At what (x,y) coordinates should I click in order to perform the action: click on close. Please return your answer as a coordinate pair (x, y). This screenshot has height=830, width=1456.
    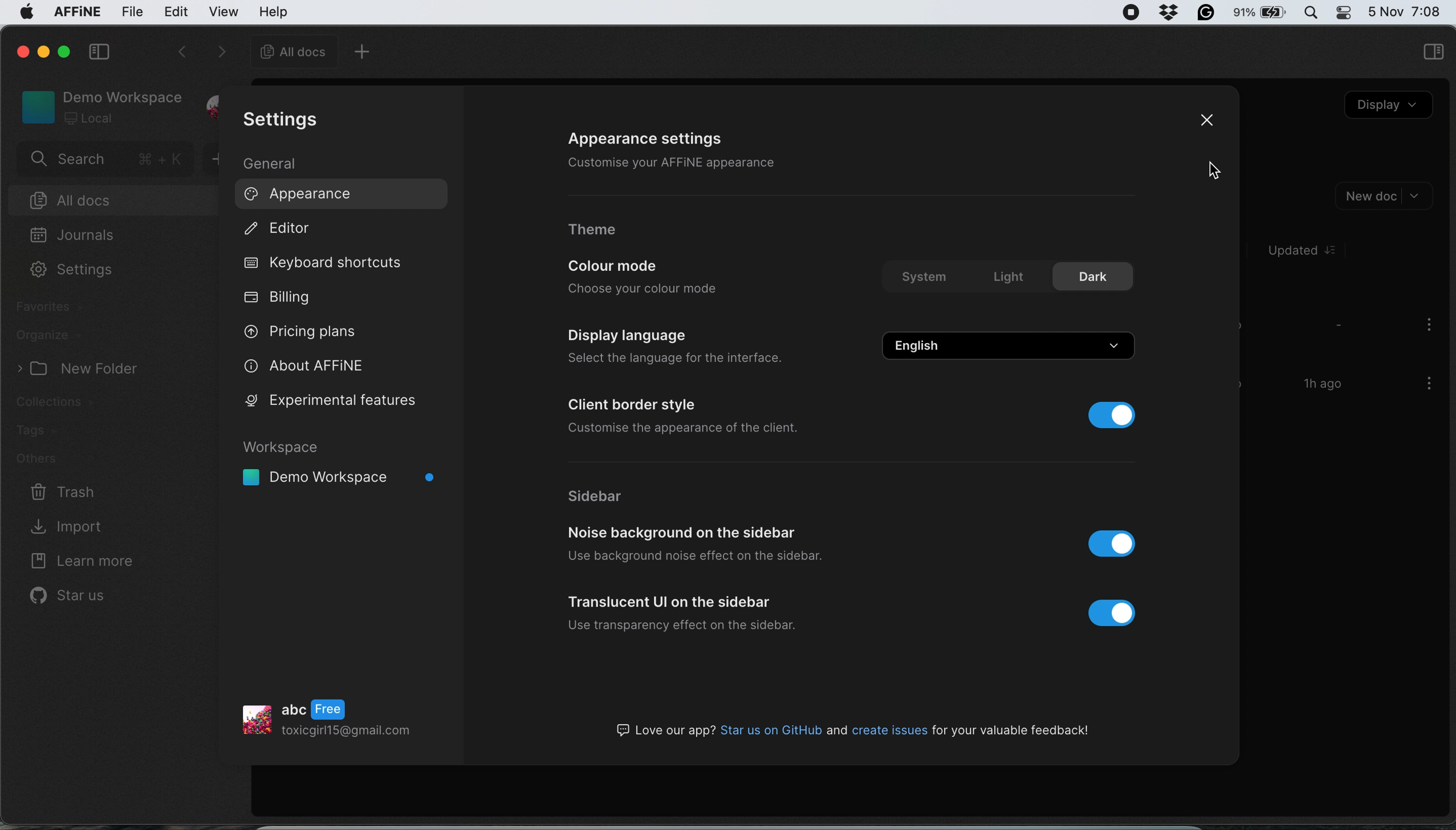
    Looking at the image, I should click on (21, 51).